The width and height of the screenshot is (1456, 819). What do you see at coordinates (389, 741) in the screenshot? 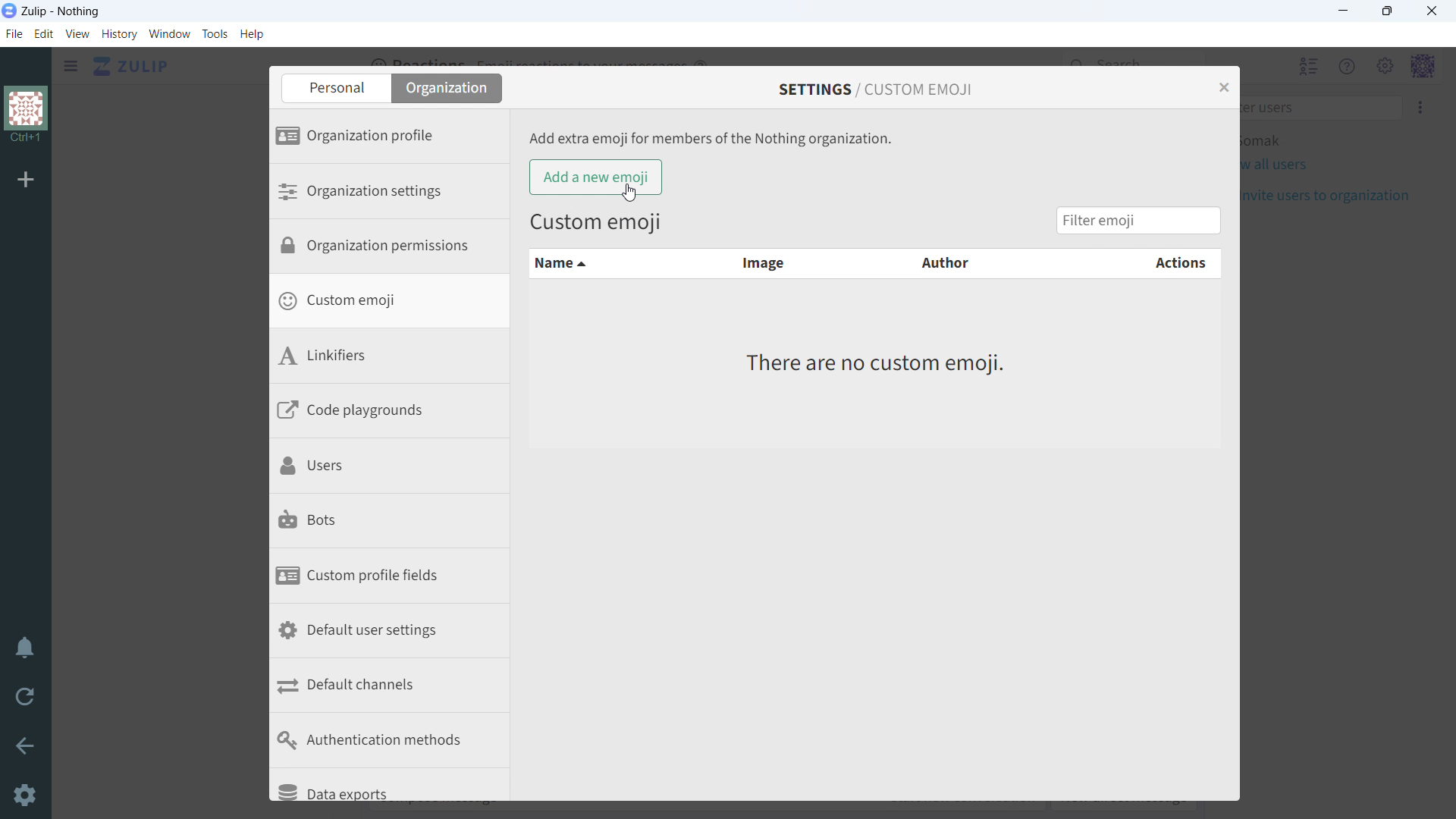
I see `authentication methods` at bounding box center [389, 741].